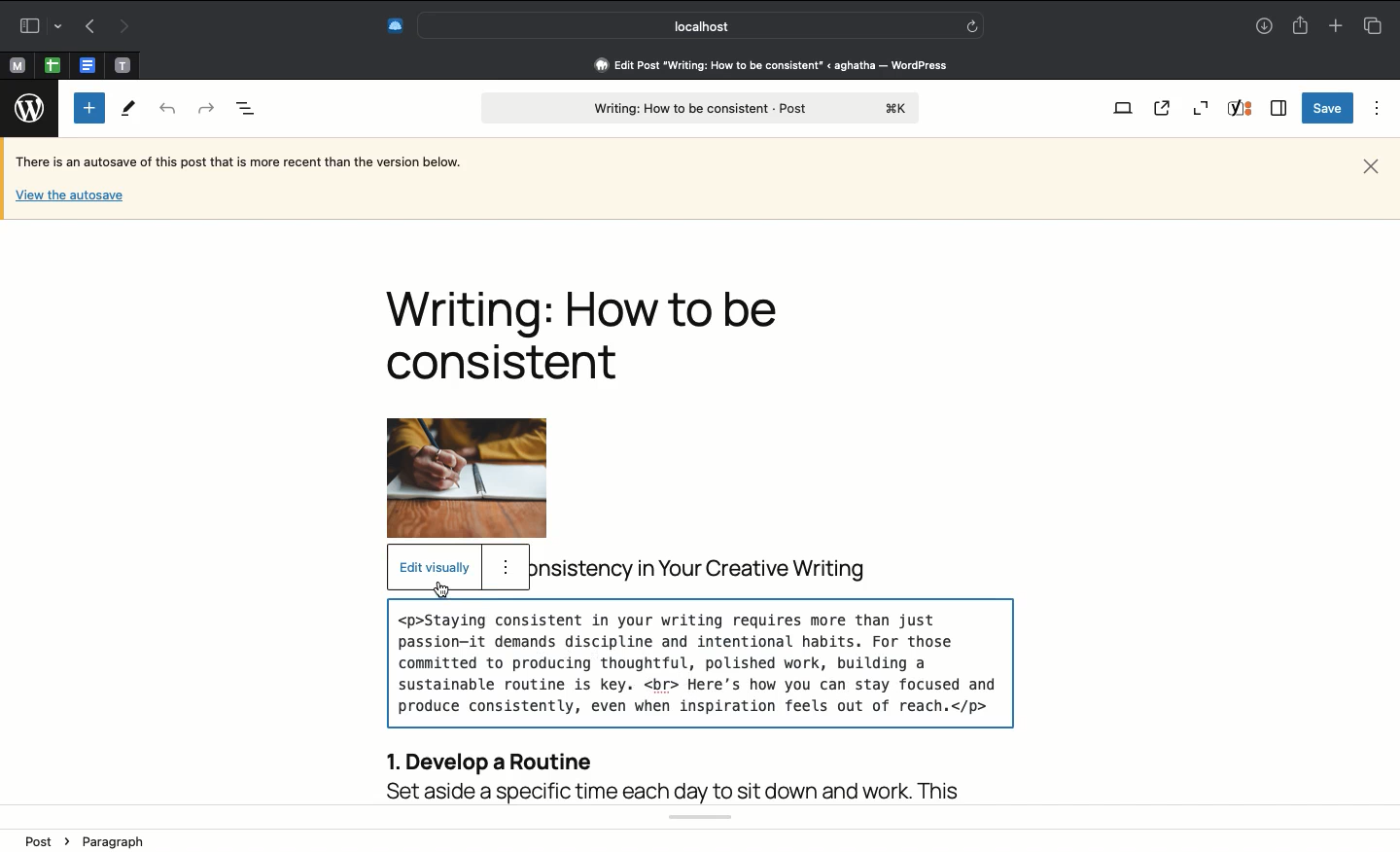 This screenshot has height=852, width=1400. Describe the element at coordinates (1201, 108) in the screenshot. I see `Zoom out` at that location.